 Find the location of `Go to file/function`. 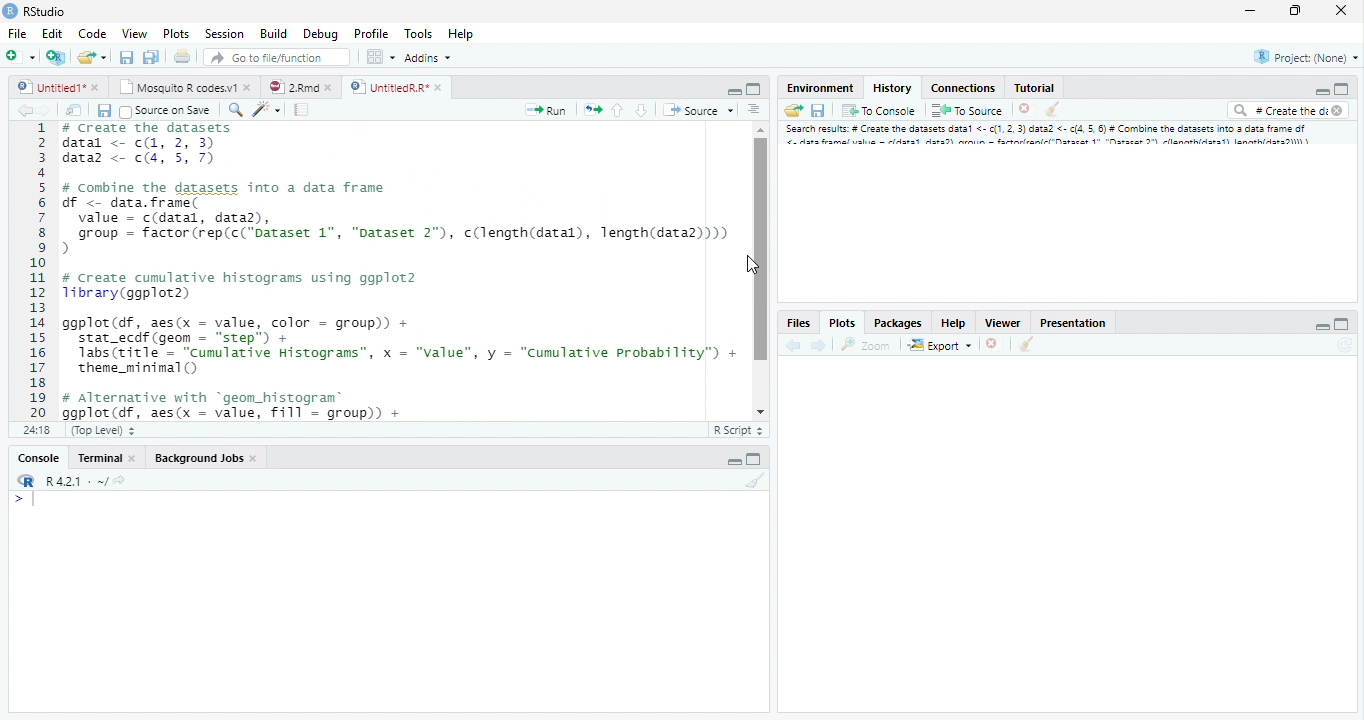

Go to file/function is located at coordinates (275, 58).